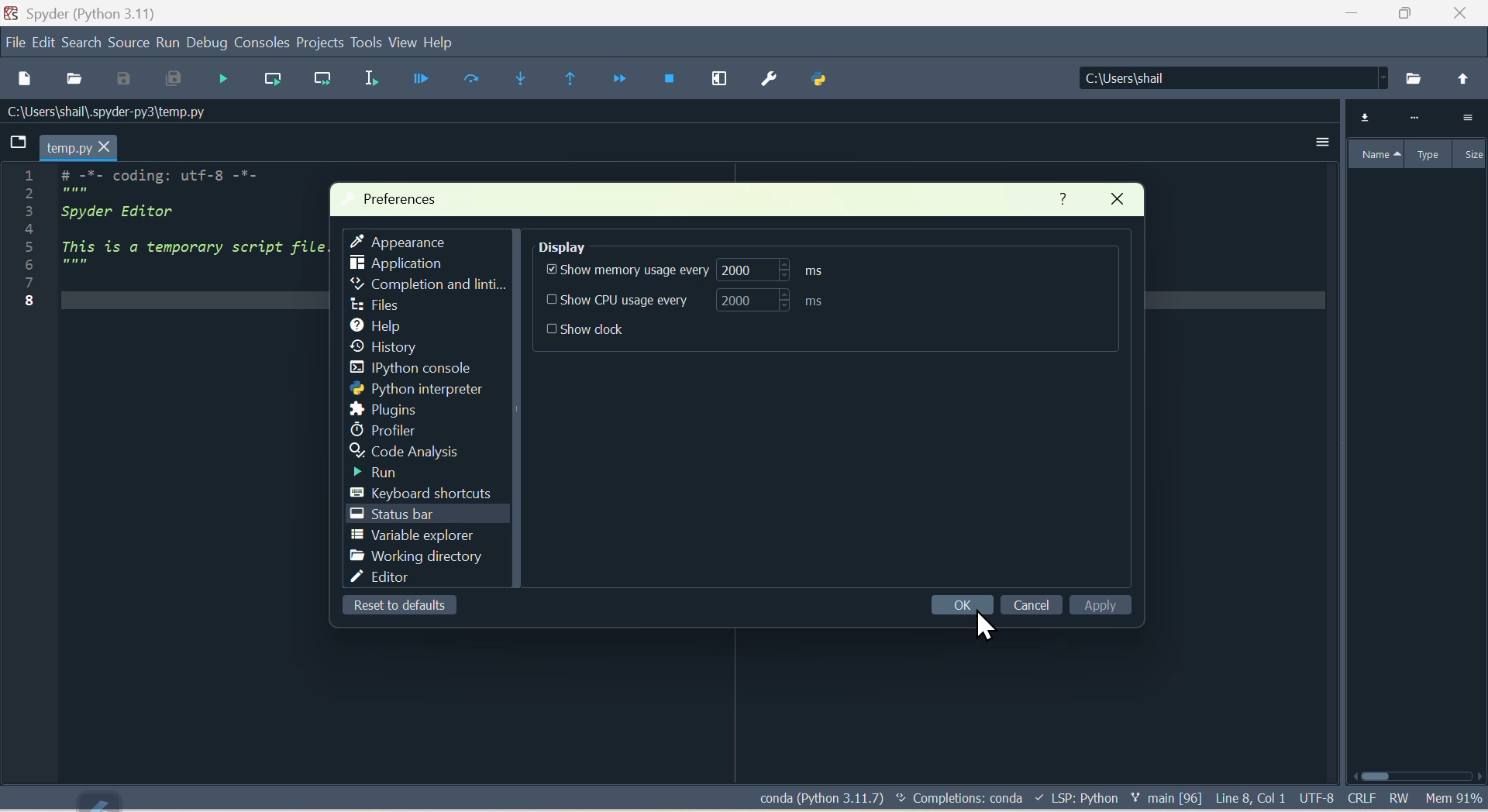 The height and width of the screenshot is (812, 1488). Describe the element at coordinates (222, 78) in the screenshot. I see `Debug file` at that location.